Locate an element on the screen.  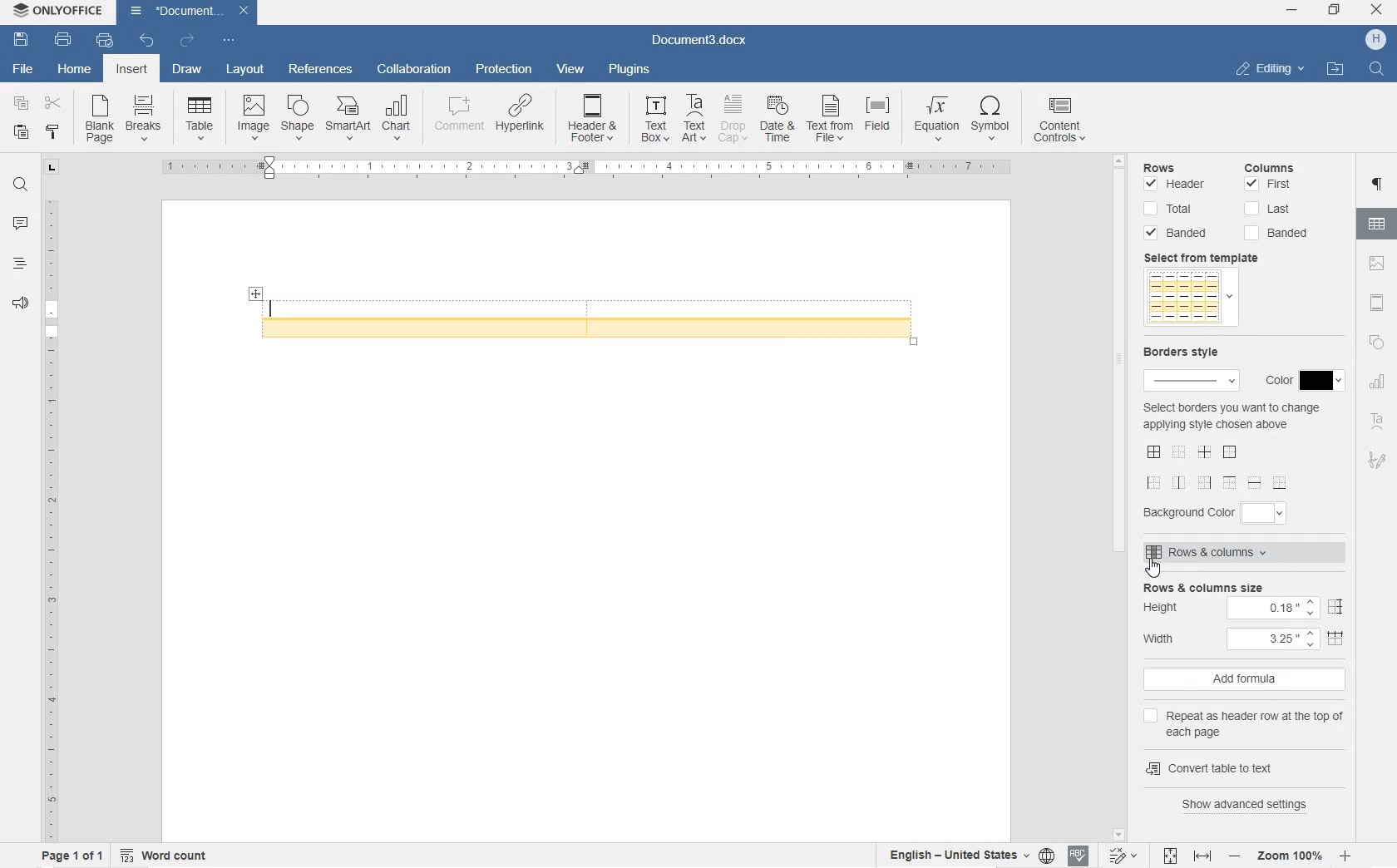
Rows & Rows Size is located at coordinates (1249, 587).